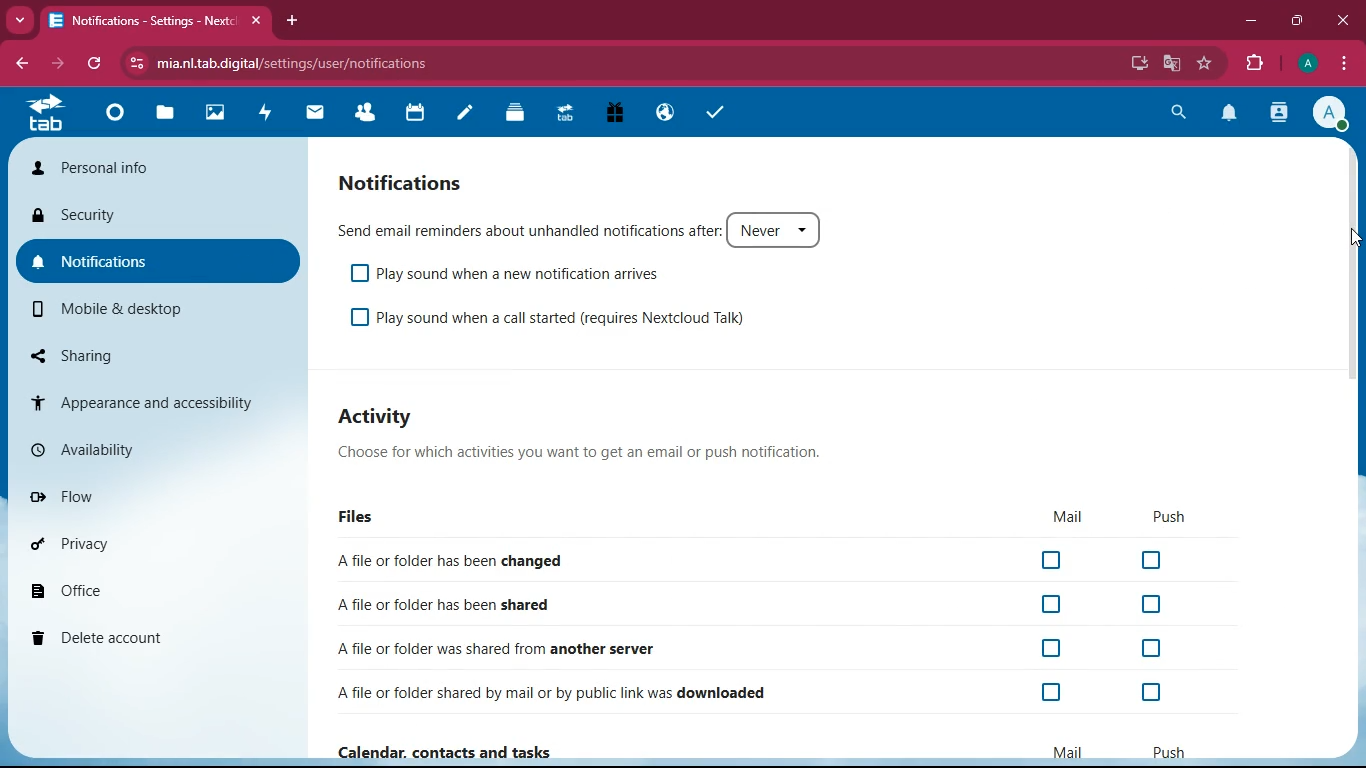 The width and height of the screenshot is (1366, 768). I want to click on search, so click(1177, 114).